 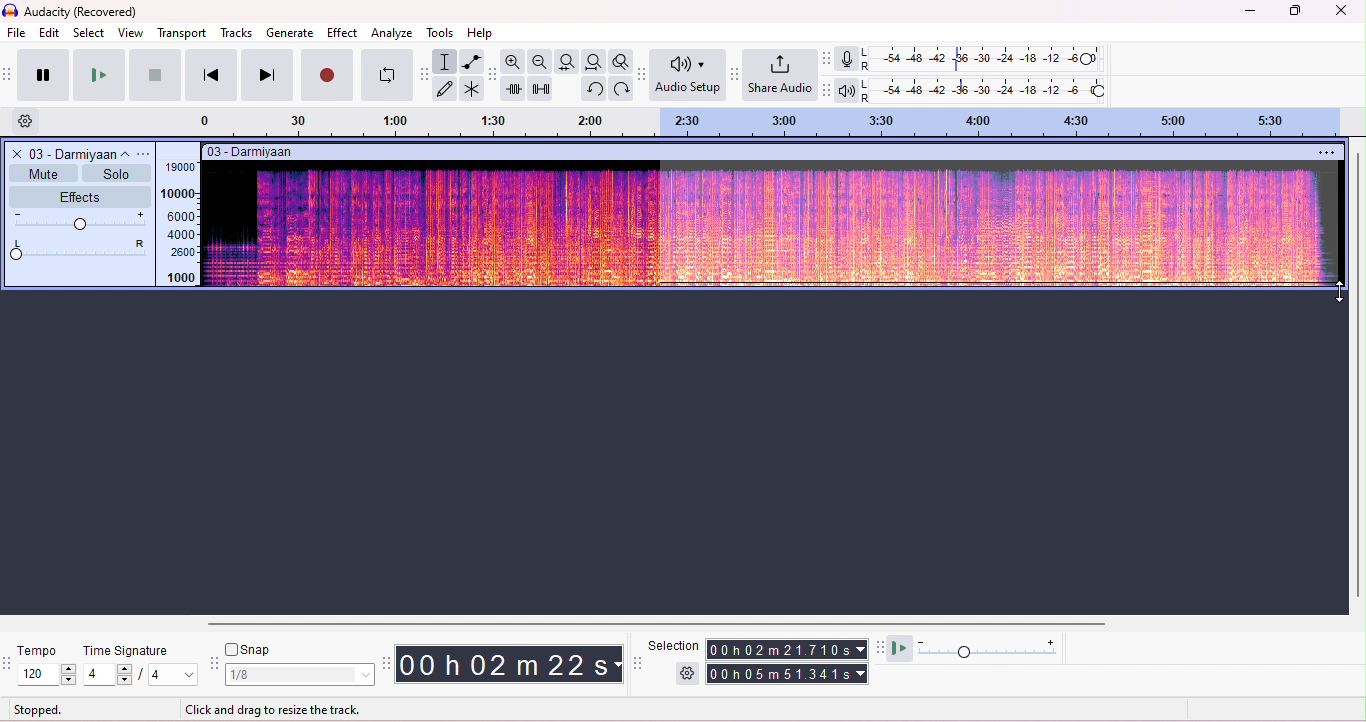 What do you see at coordinates (986, 89) in the screenshot?
I see `playback level` at bounding box center [986, 89].